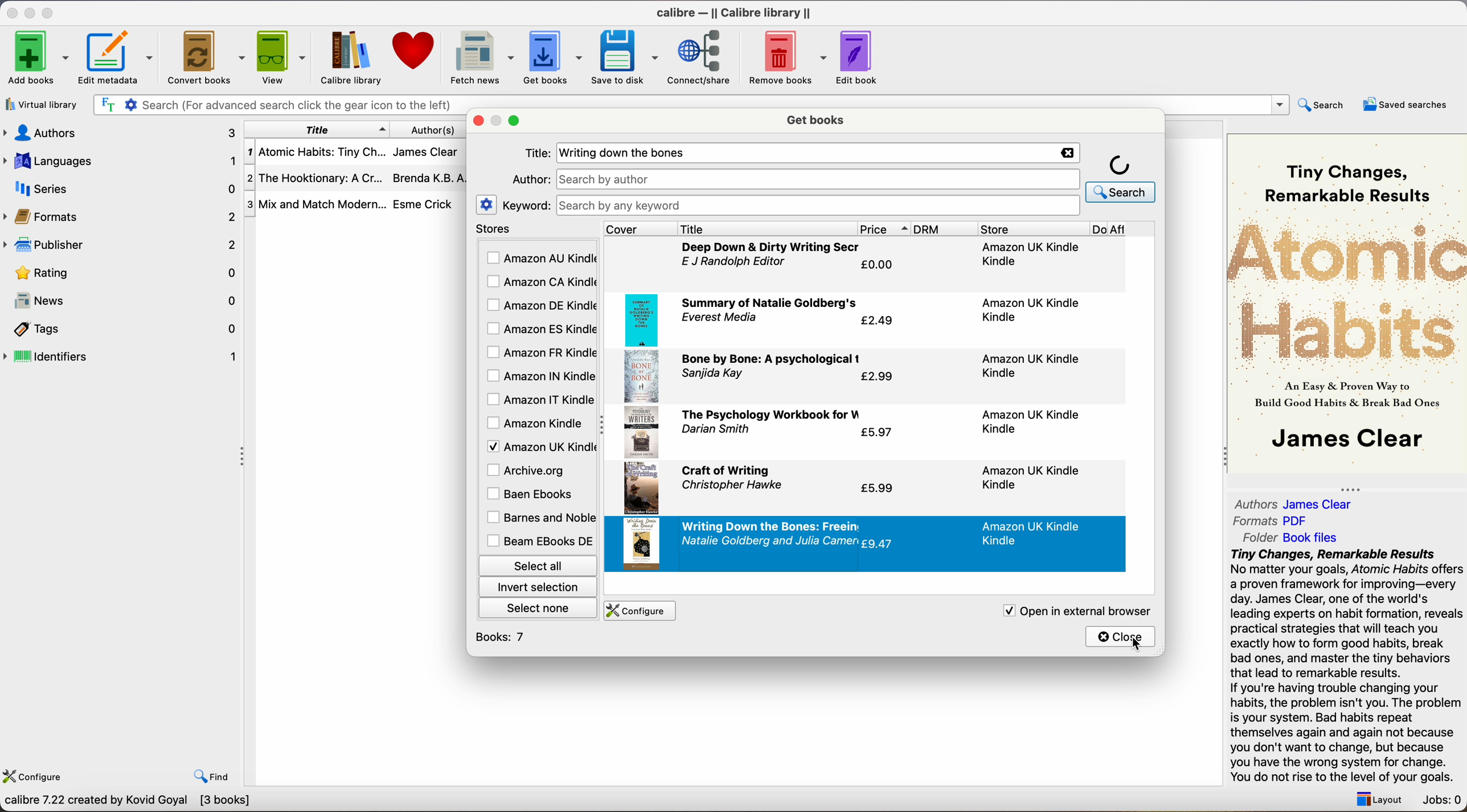 The width and height of the screenshot is (1467, 812). Describe the element at coordinates (880, 543) in the screenshot. I see `€9.47` at that location.